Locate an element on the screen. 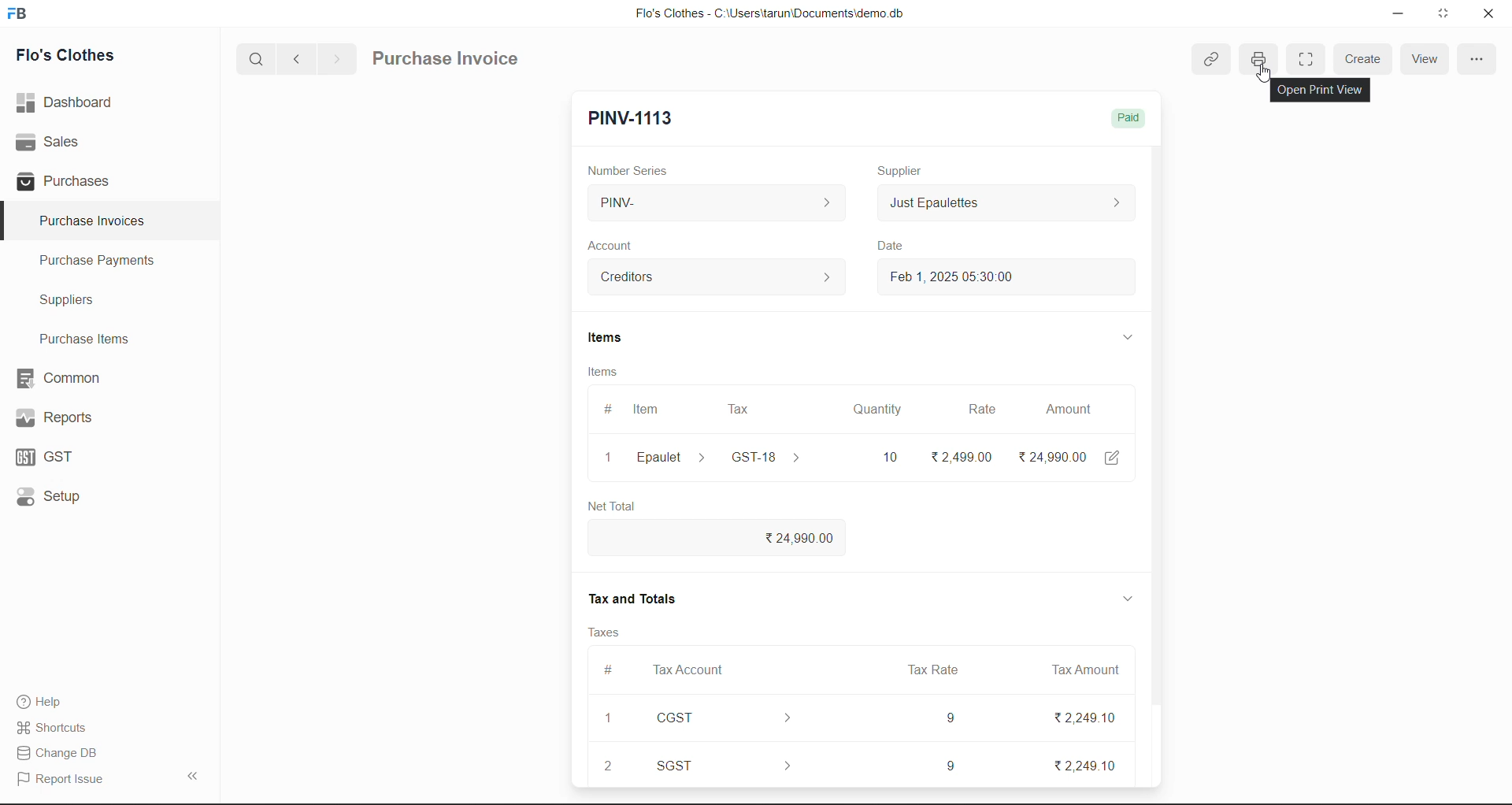  Tax is located at coordinates (738, 411).